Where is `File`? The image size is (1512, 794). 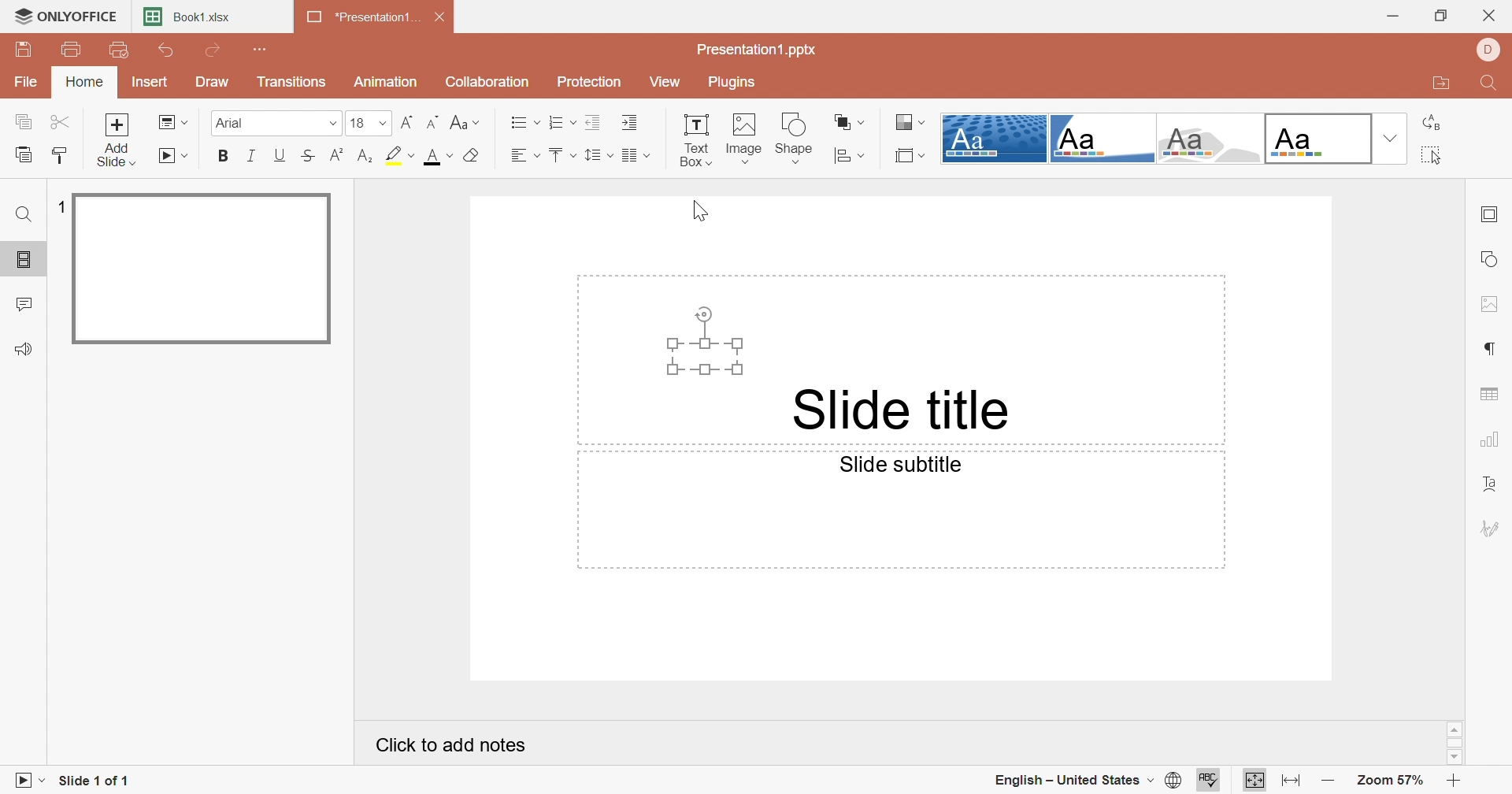
File is located at coordinates (26, 84).